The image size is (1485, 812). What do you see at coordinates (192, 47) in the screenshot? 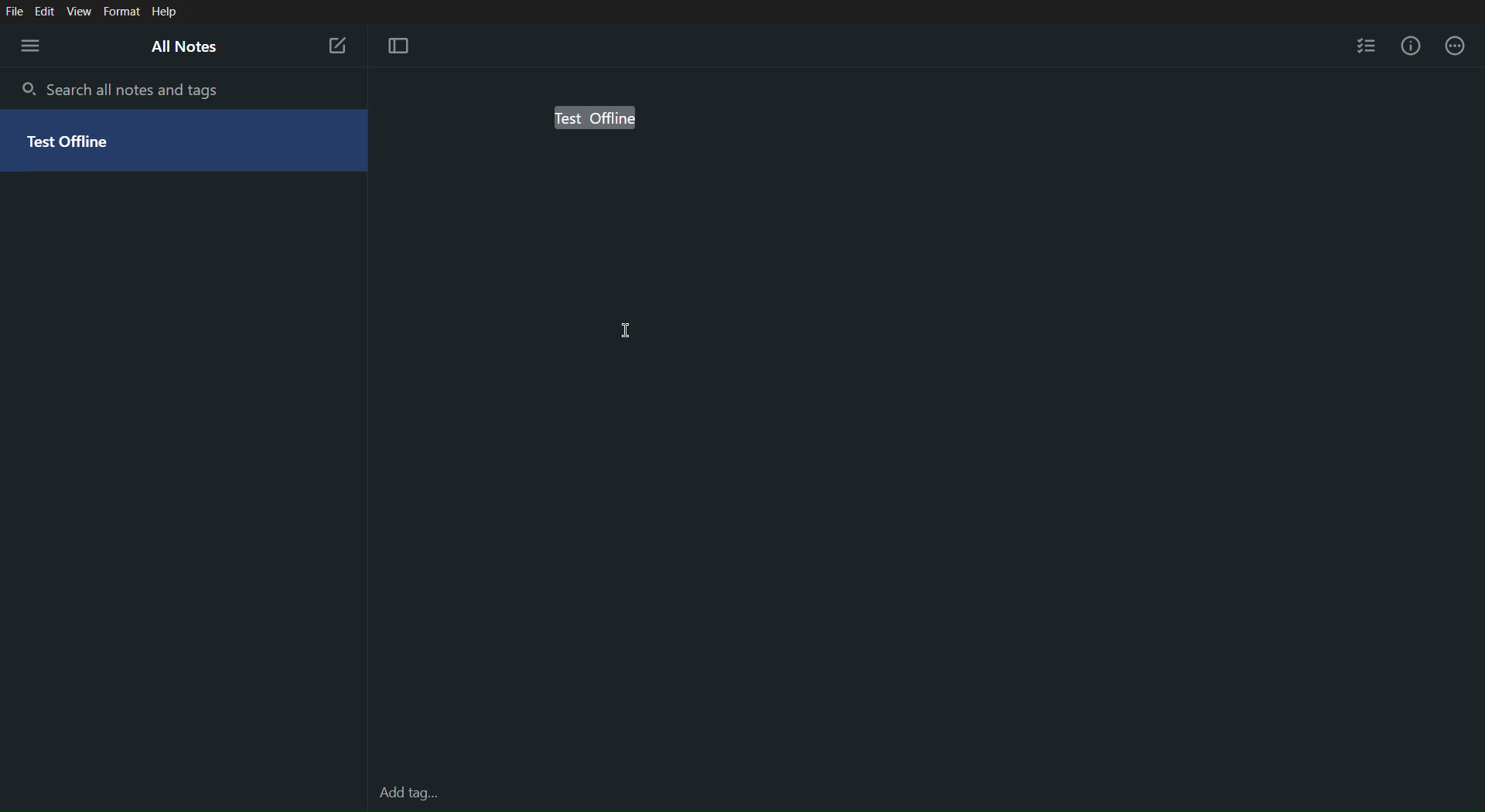
I see `All Notes` at bounding box center [192, 47].